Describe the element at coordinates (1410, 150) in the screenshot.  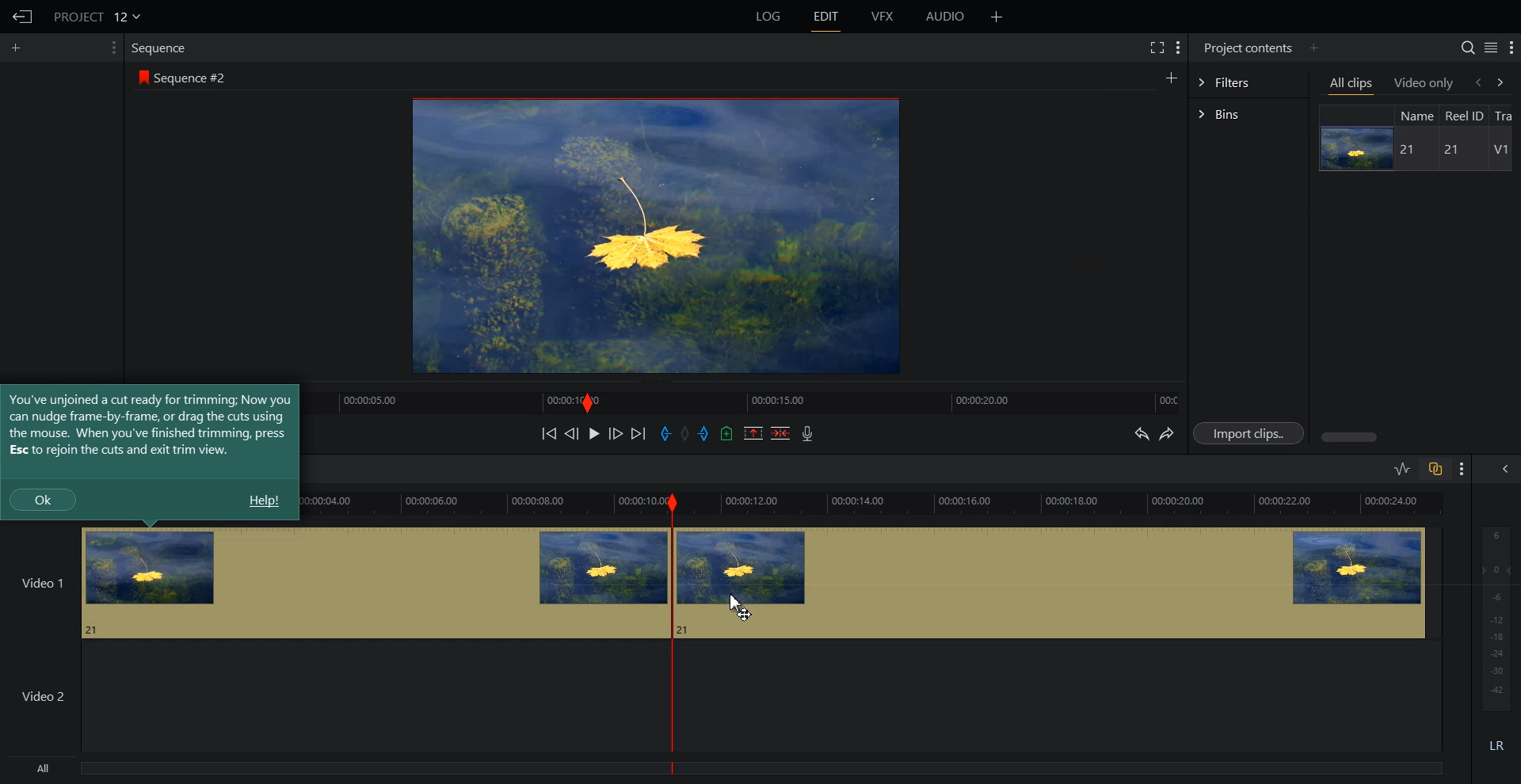
I see `21` at that location.